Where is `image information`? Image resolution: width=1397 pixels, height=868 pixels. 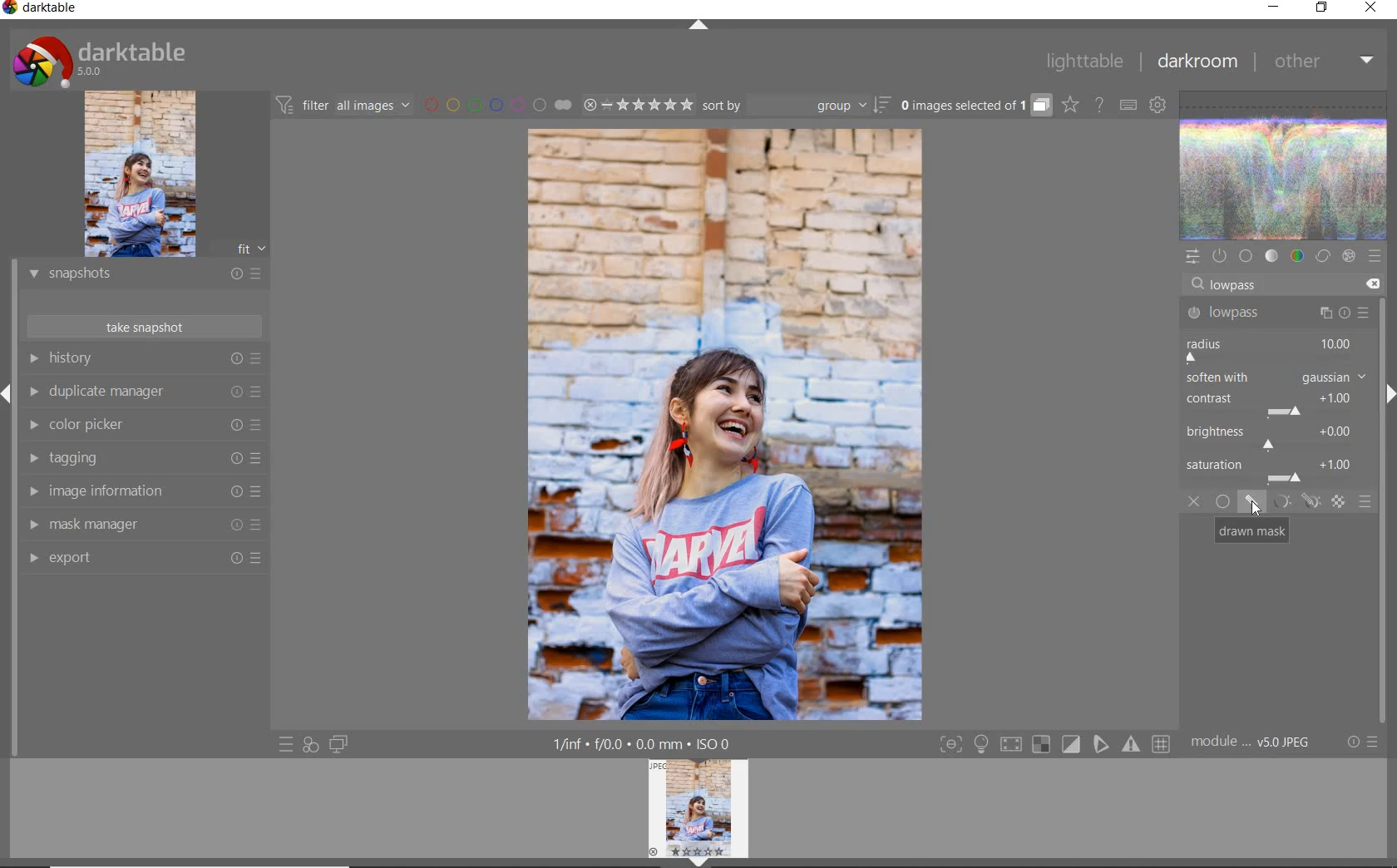
image information is located at coordinates (142, 494).